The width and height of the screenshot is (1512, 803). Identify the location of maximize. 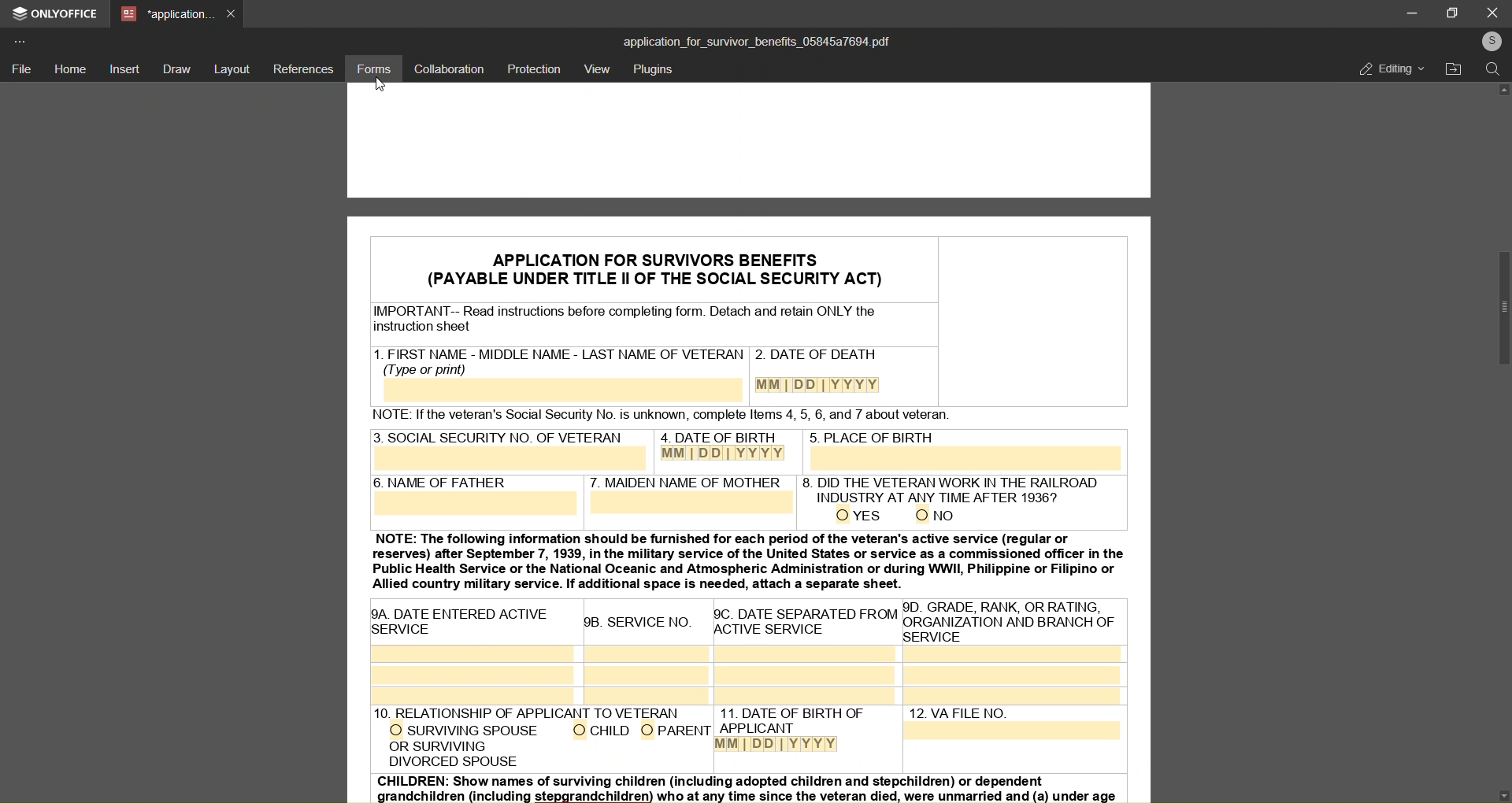
(1455, 12).